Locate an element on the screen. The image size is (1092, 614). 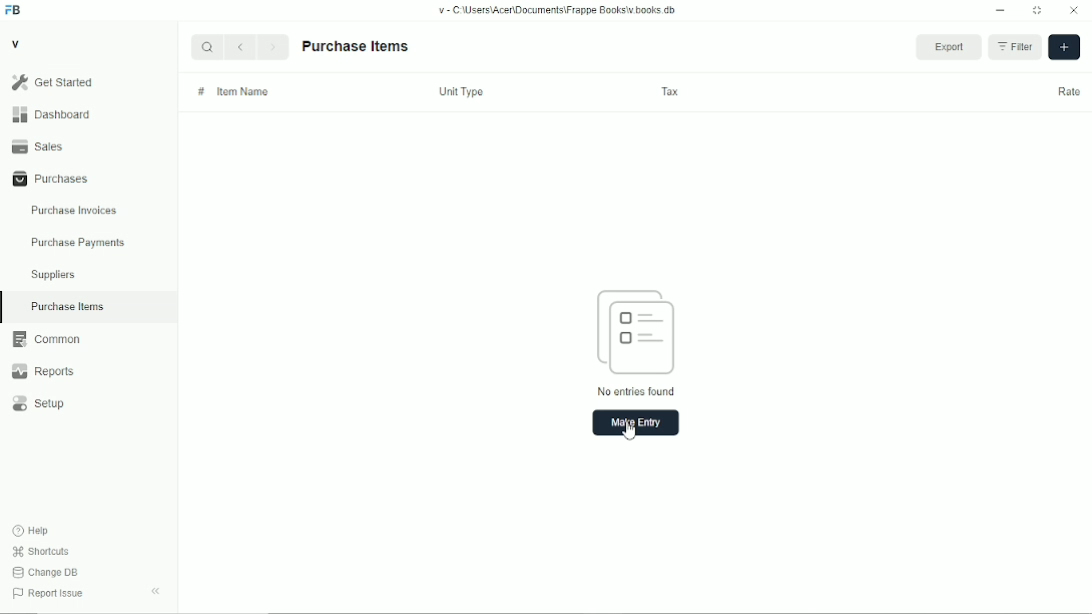
Back is located at coordinates (239, 46).